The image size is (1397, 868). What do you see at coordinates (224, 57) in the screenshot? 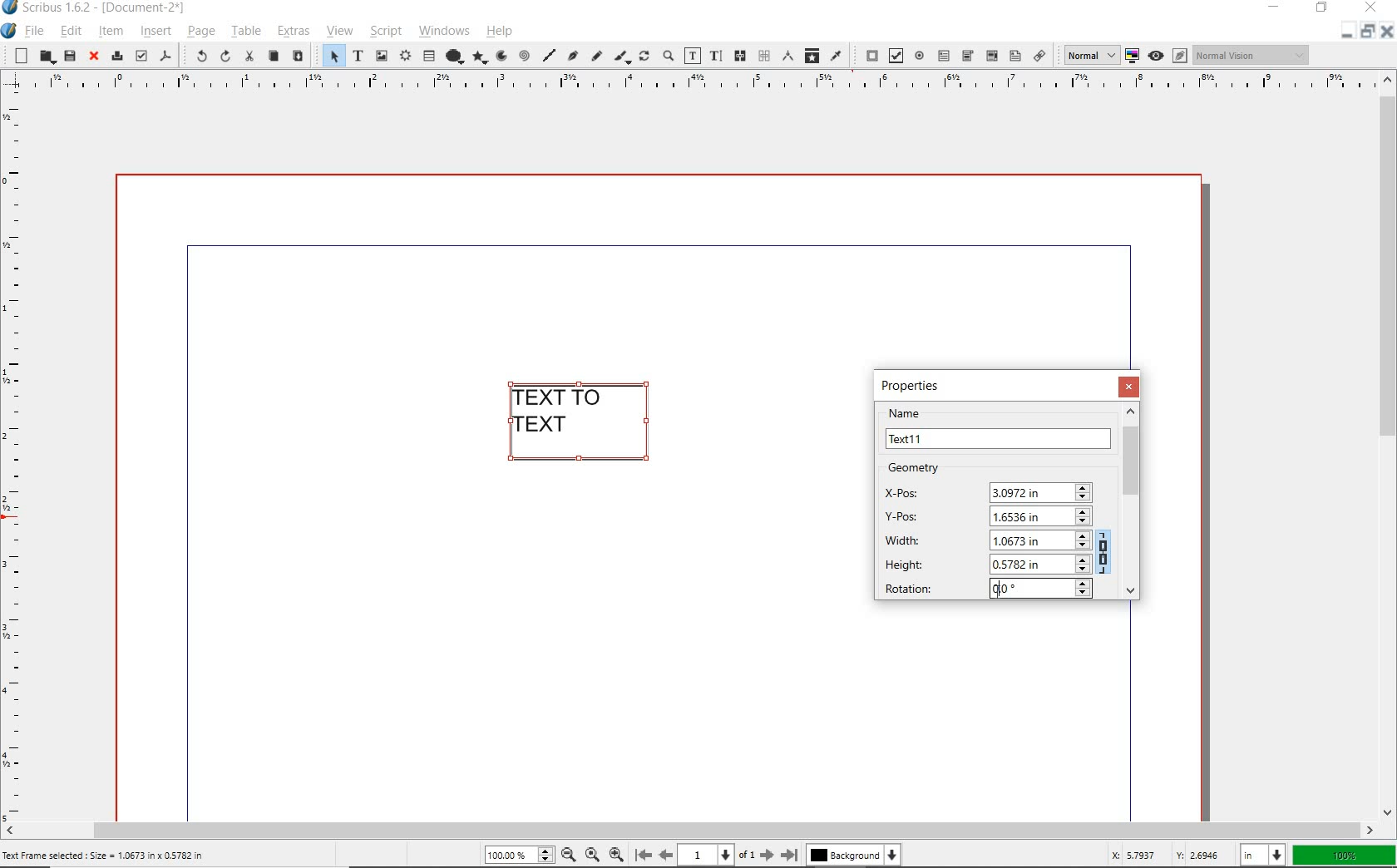
I see `redo` at bounding box center [224, 57].